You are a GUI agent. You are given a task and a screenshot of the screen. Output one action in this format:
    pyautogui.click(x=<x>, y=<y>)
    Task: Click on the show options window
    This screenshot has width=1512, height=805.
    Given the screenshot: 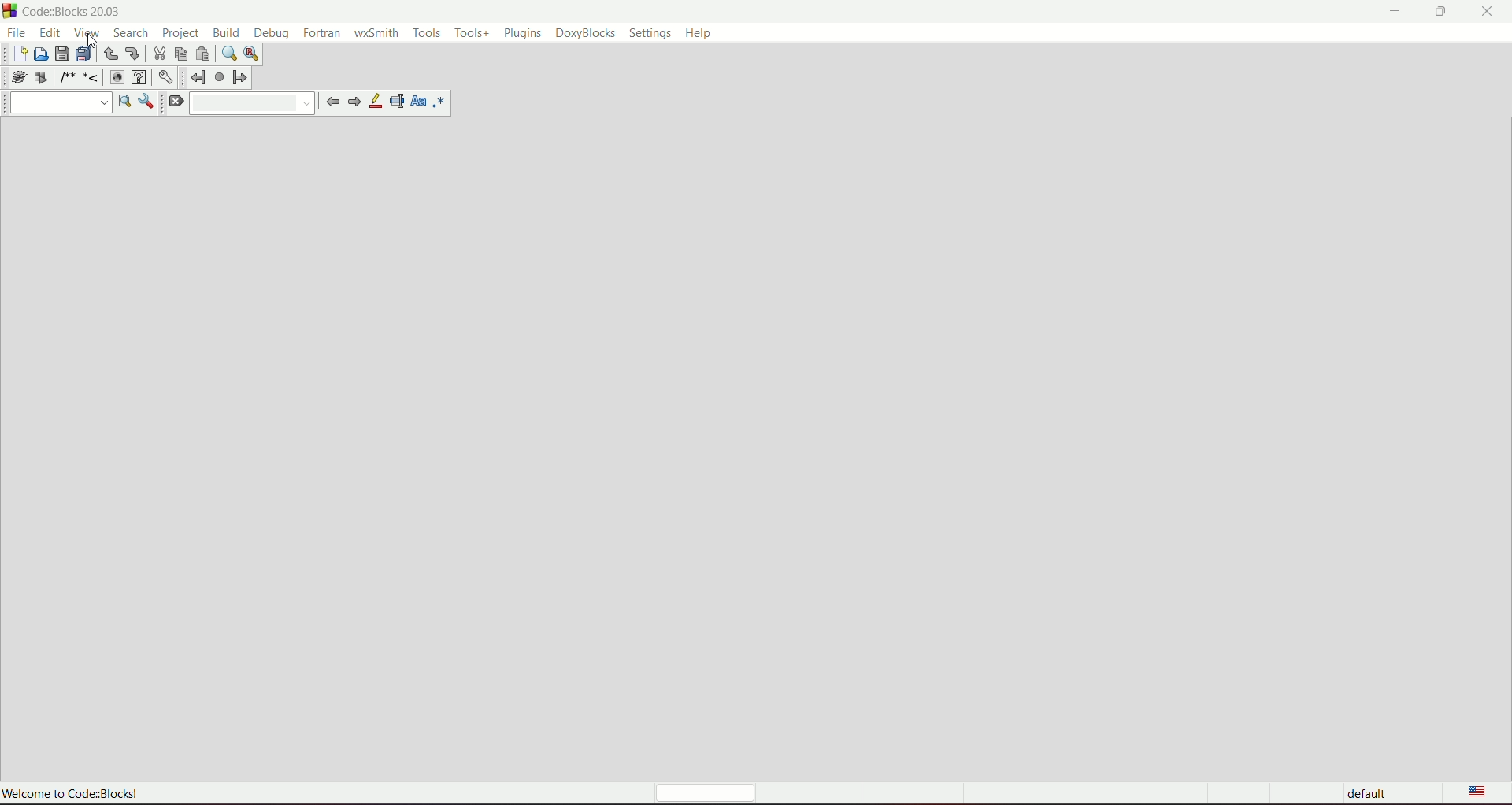 What is the action you would take?
    pyautogui.click(x=148, y=102)
    